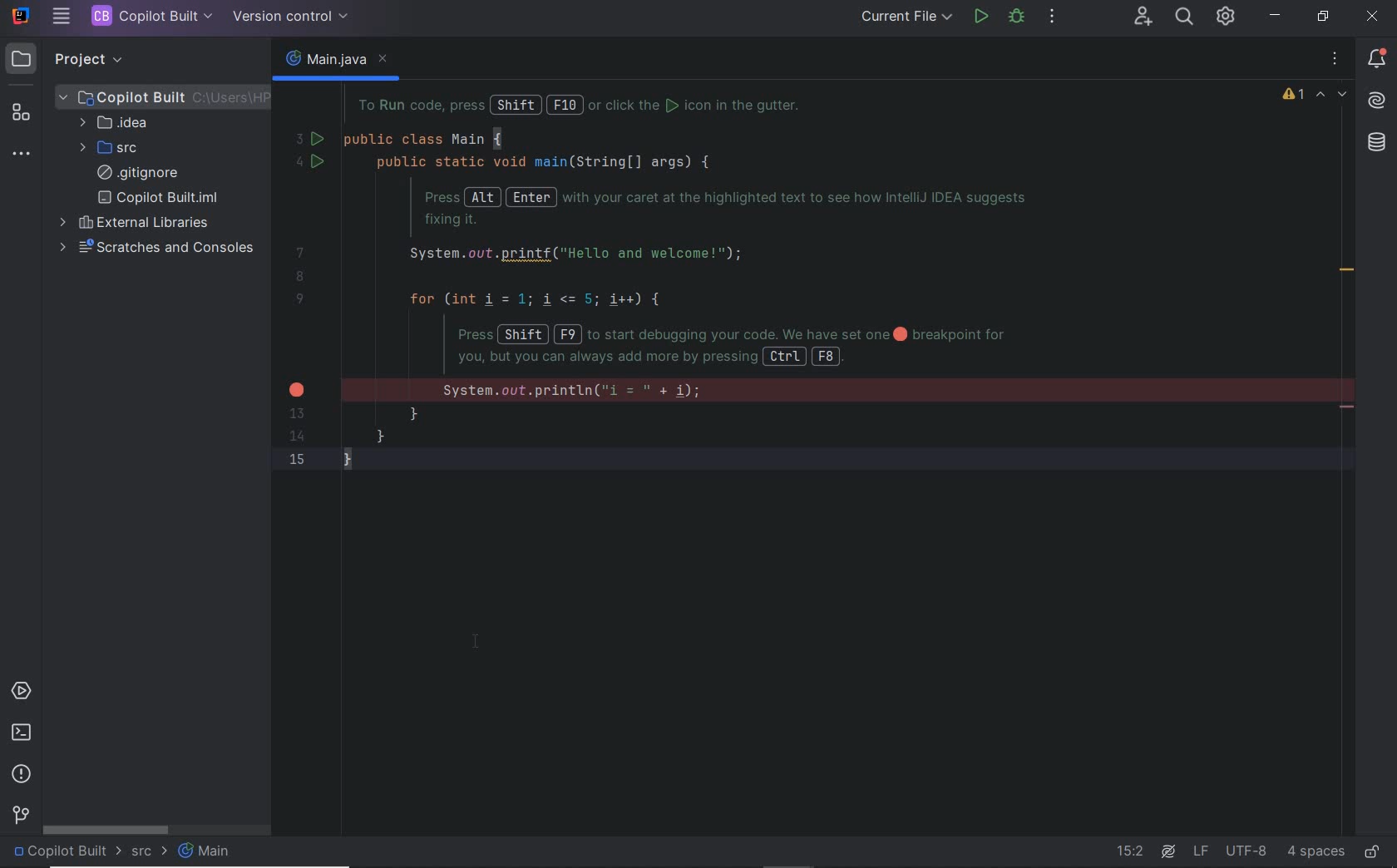  What do you see at coordinates (205, 851) in the screenshot?
I see `Main` at bounding box center [205, 851].